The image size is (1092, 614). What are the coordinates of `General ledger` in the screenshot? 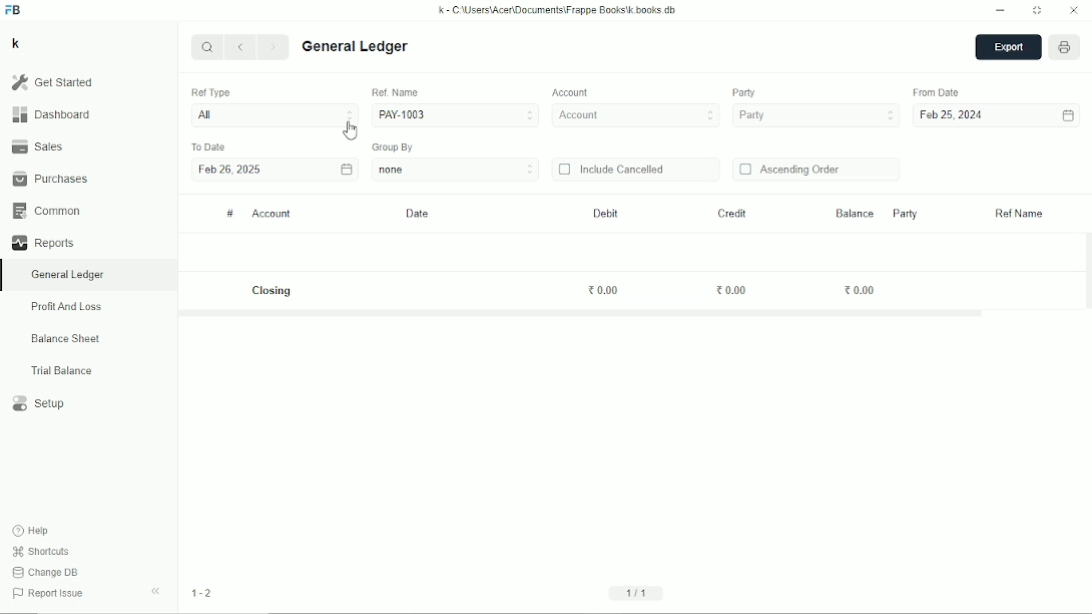 It's located at (68, 275).